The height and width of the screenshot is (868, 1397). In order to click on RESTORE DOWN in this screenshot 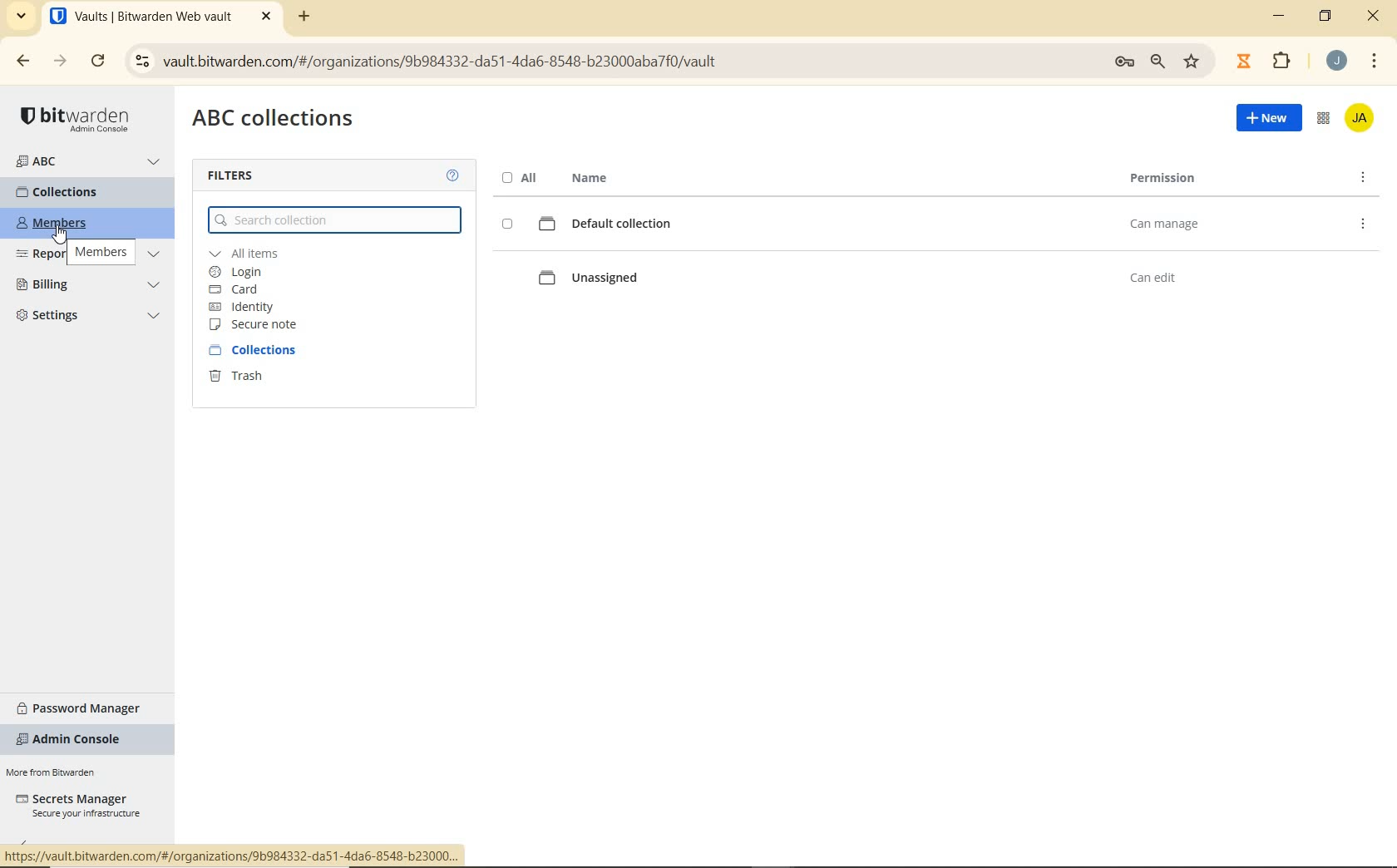, I will do `click(1327, 19)`.